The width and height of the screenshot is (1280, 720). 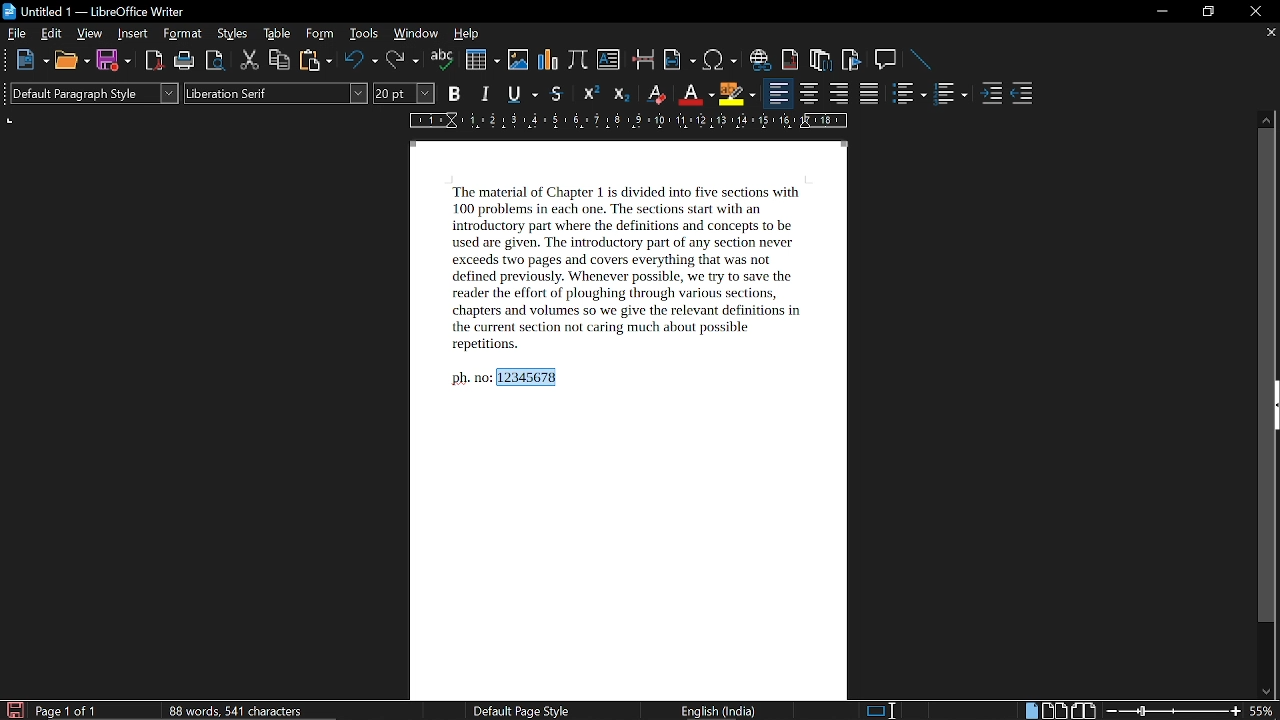 What do you see at coordinates (130, 34) in the screenshot?
I see `insert` at bounding box center [130, 34].